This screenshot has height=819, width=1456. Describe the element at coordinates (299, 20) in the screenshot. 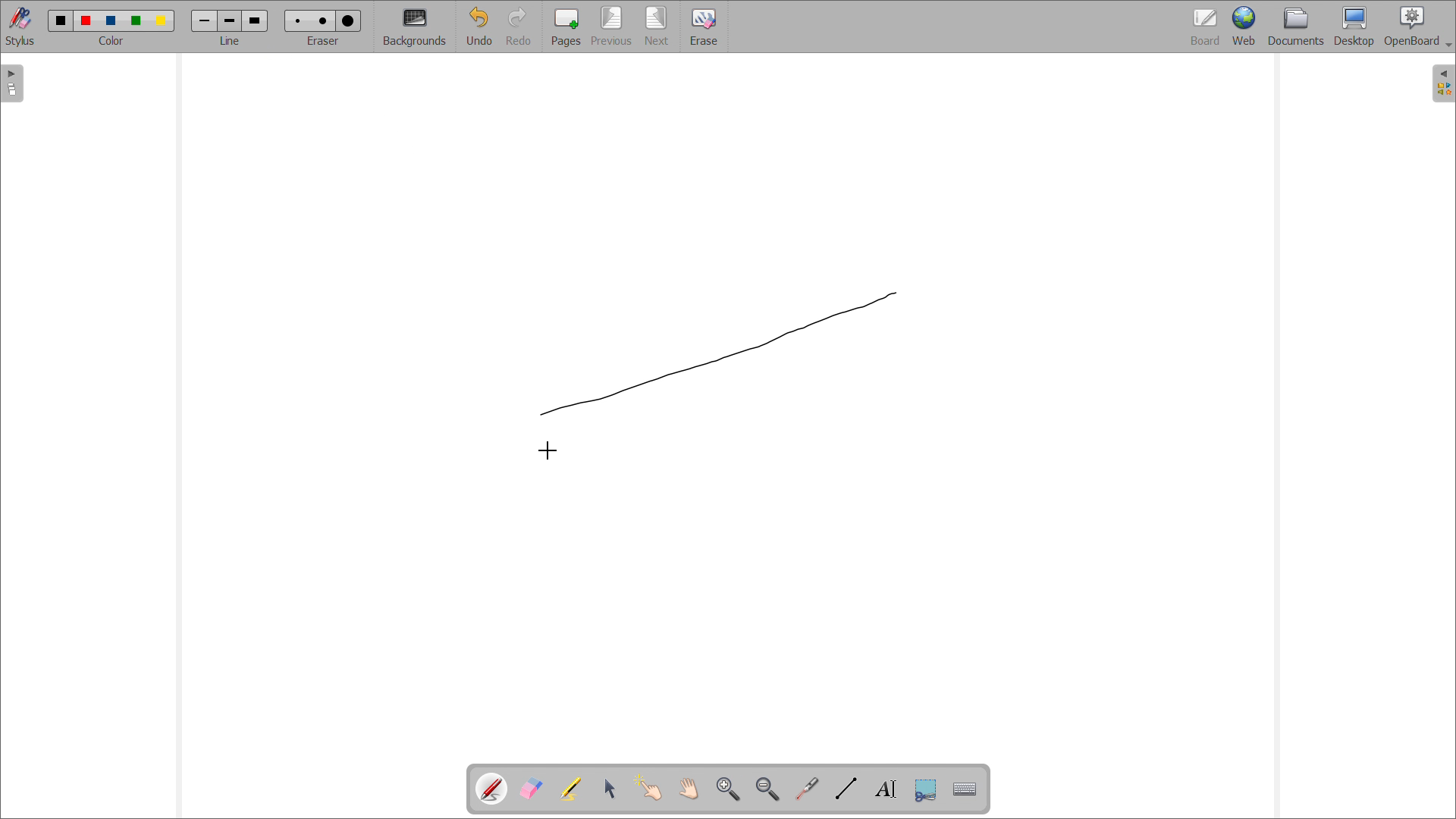

I see `Eraser size` at that location.